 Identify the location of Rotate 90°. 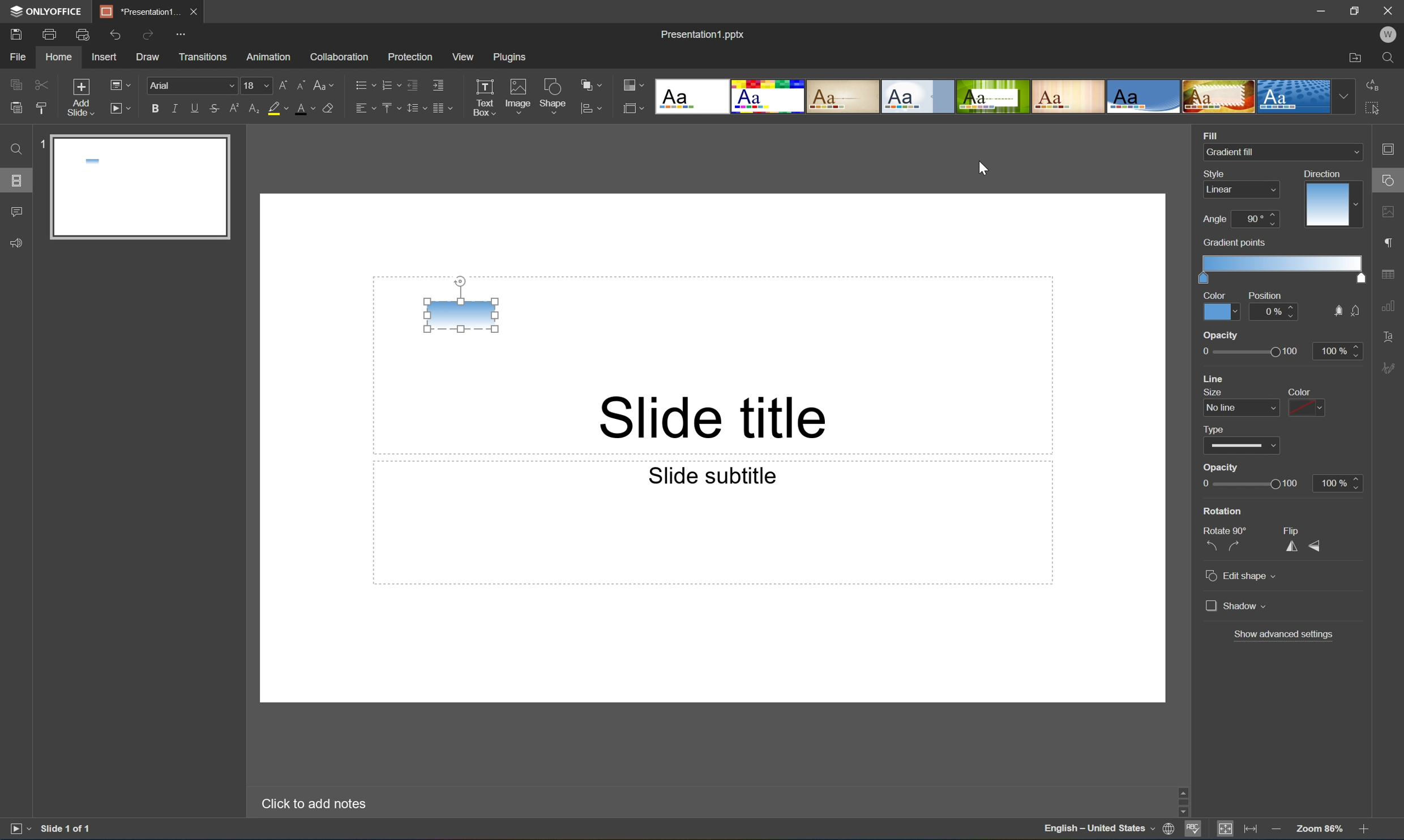
(1226, 529).